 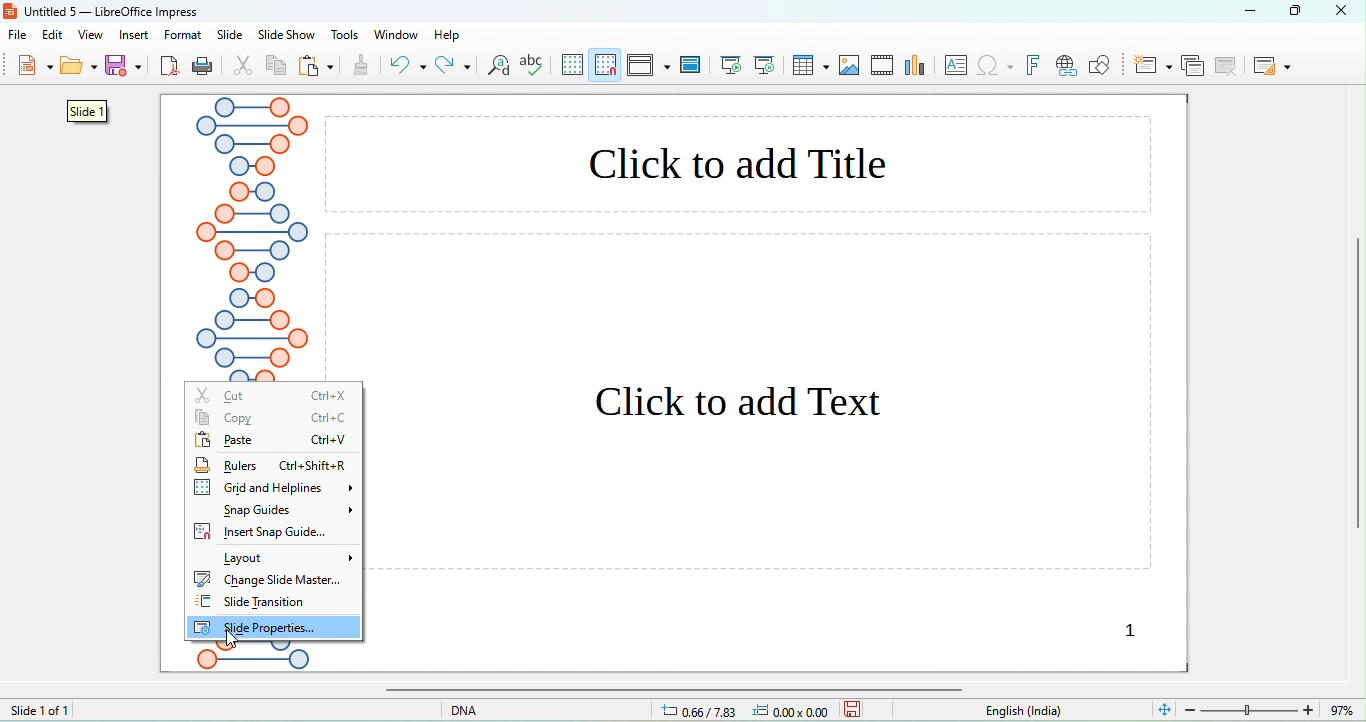 What do you see at coordinates (285, 36) in the screenshot?
I see `slideshow` at bounding box center [285, 36].